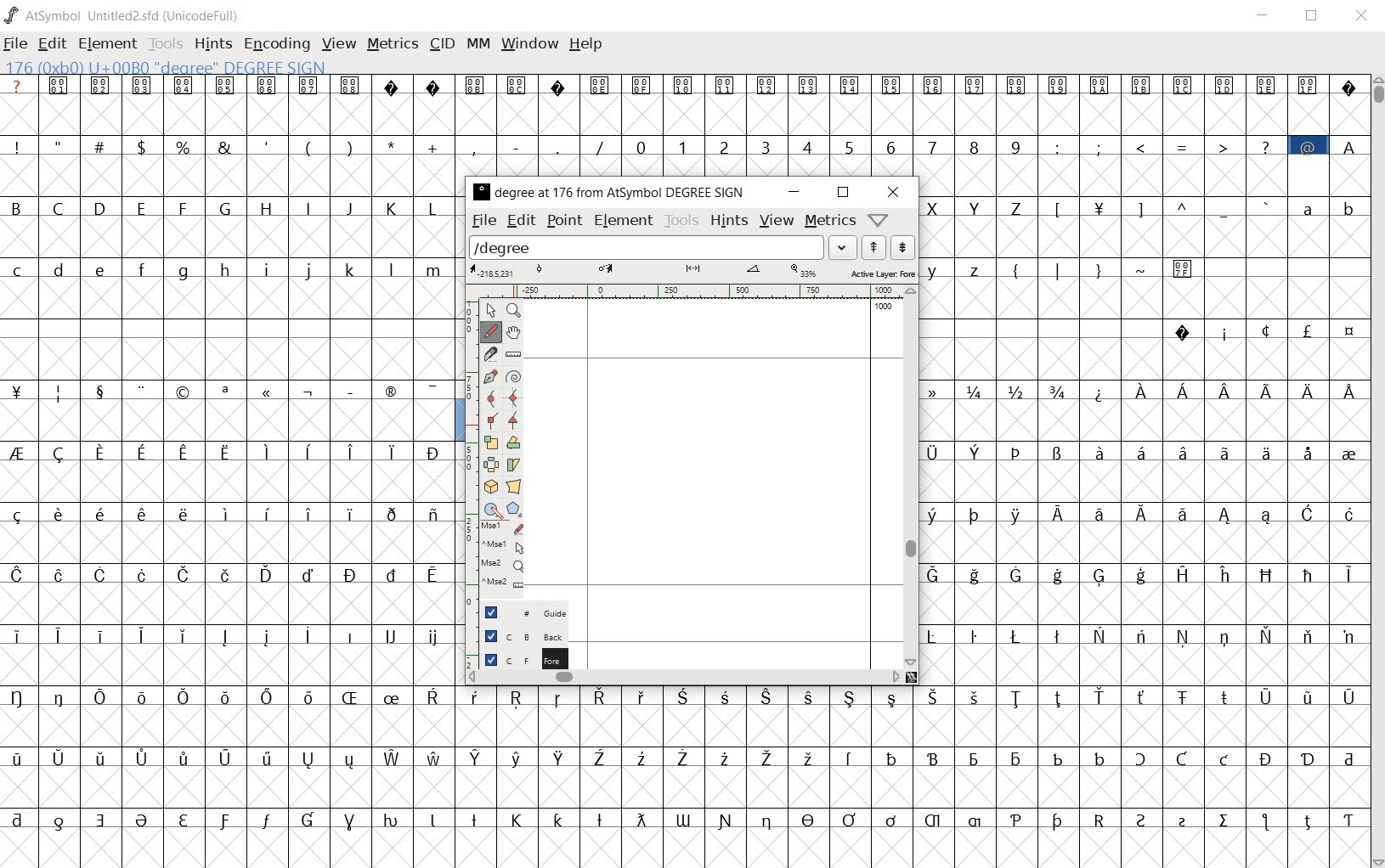  I want to click on Add a corner point, so click(512, 420).